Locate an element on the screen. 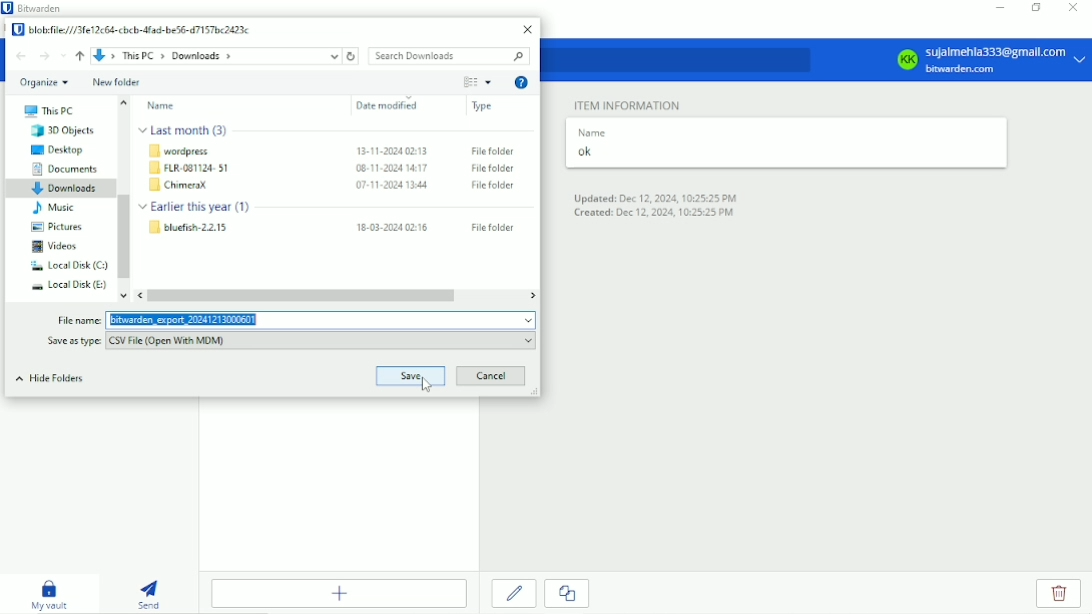 This screenshot has width=1092, height=614. Bitwarden is located at coordinates (36, 8).